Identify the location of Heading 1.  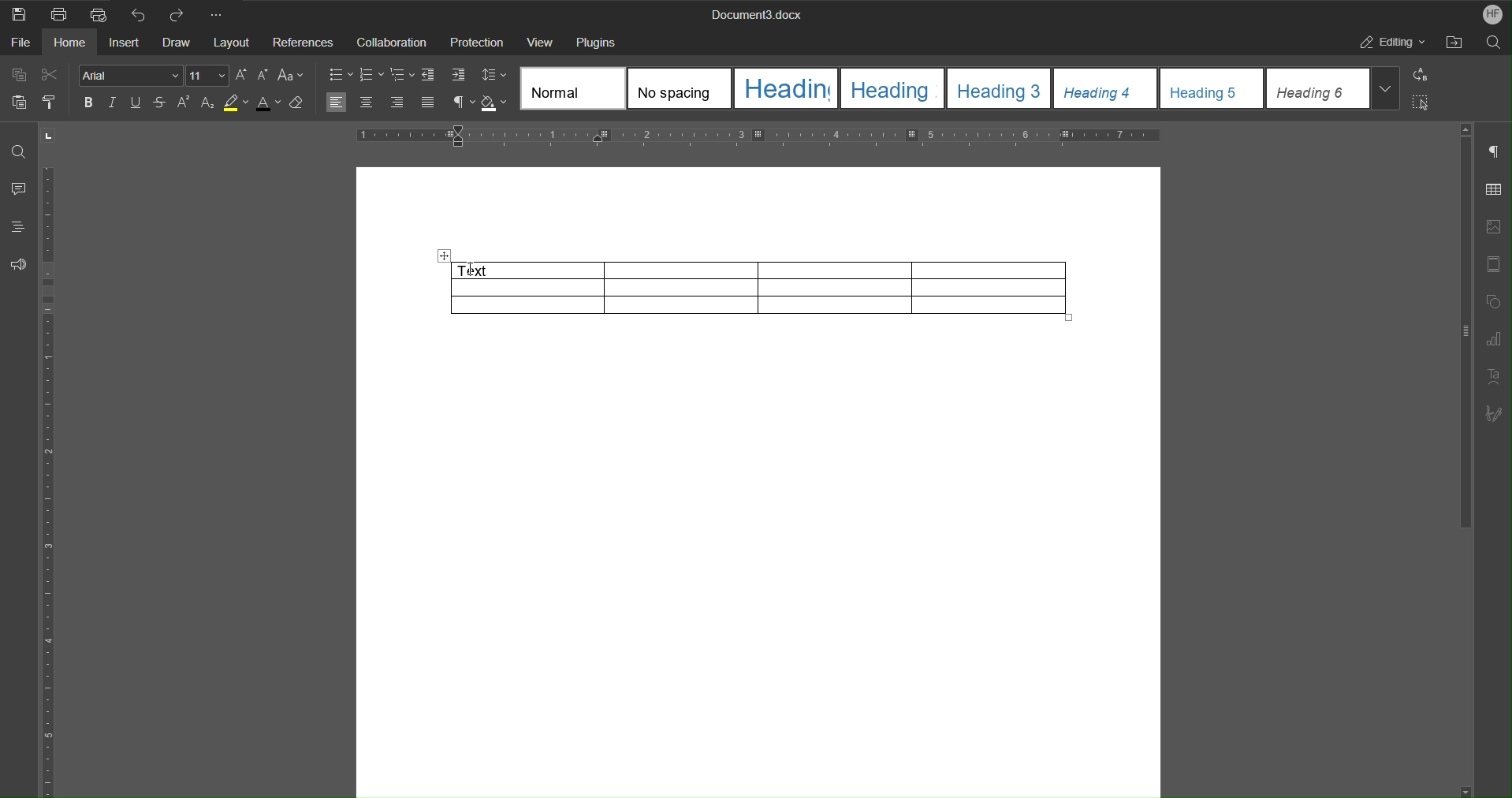
(788, 89).